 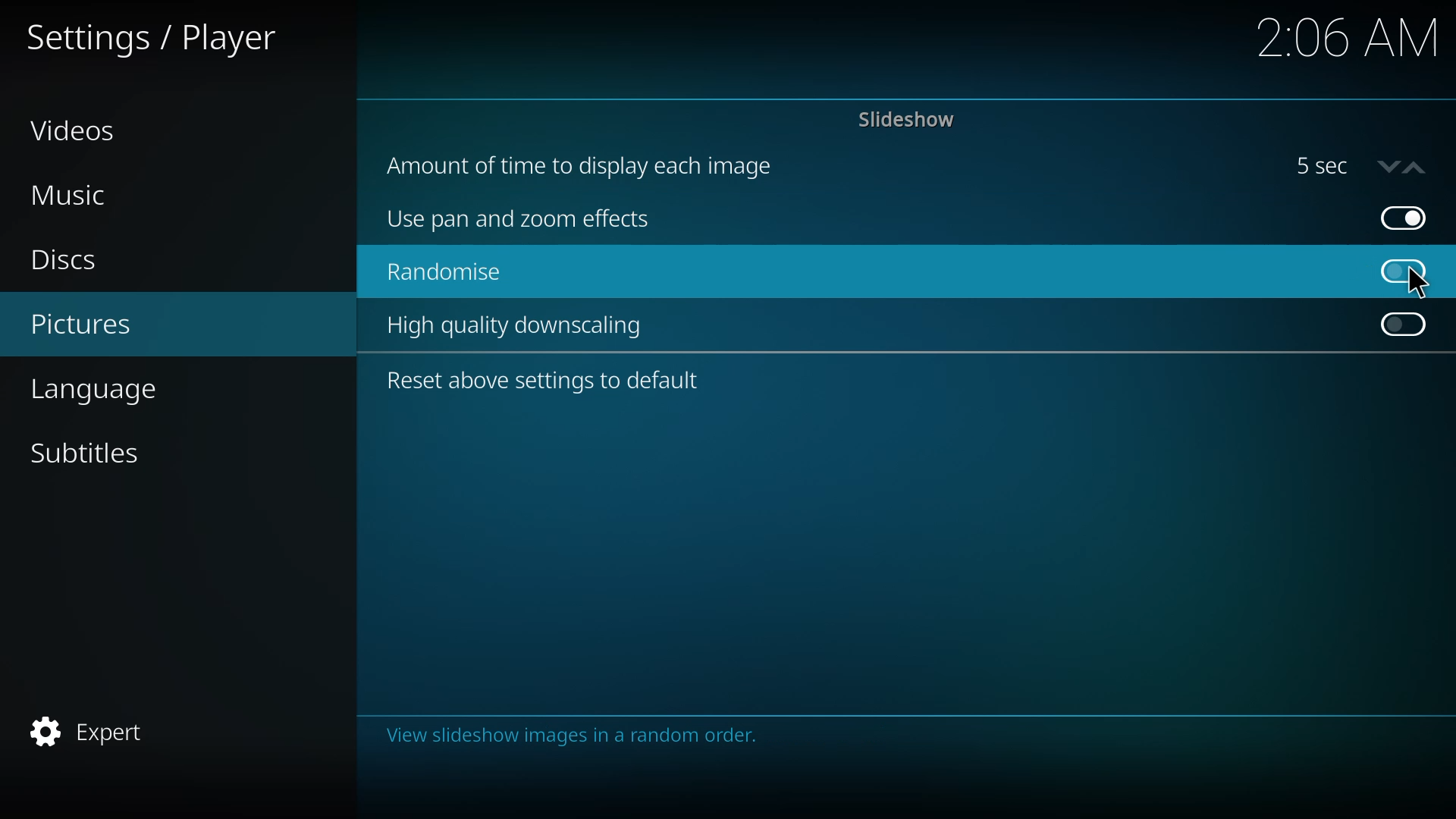 What do you see at coordinates (1353, 39) in the screenshot?
I see `time` at bounding box center [1353, 39].